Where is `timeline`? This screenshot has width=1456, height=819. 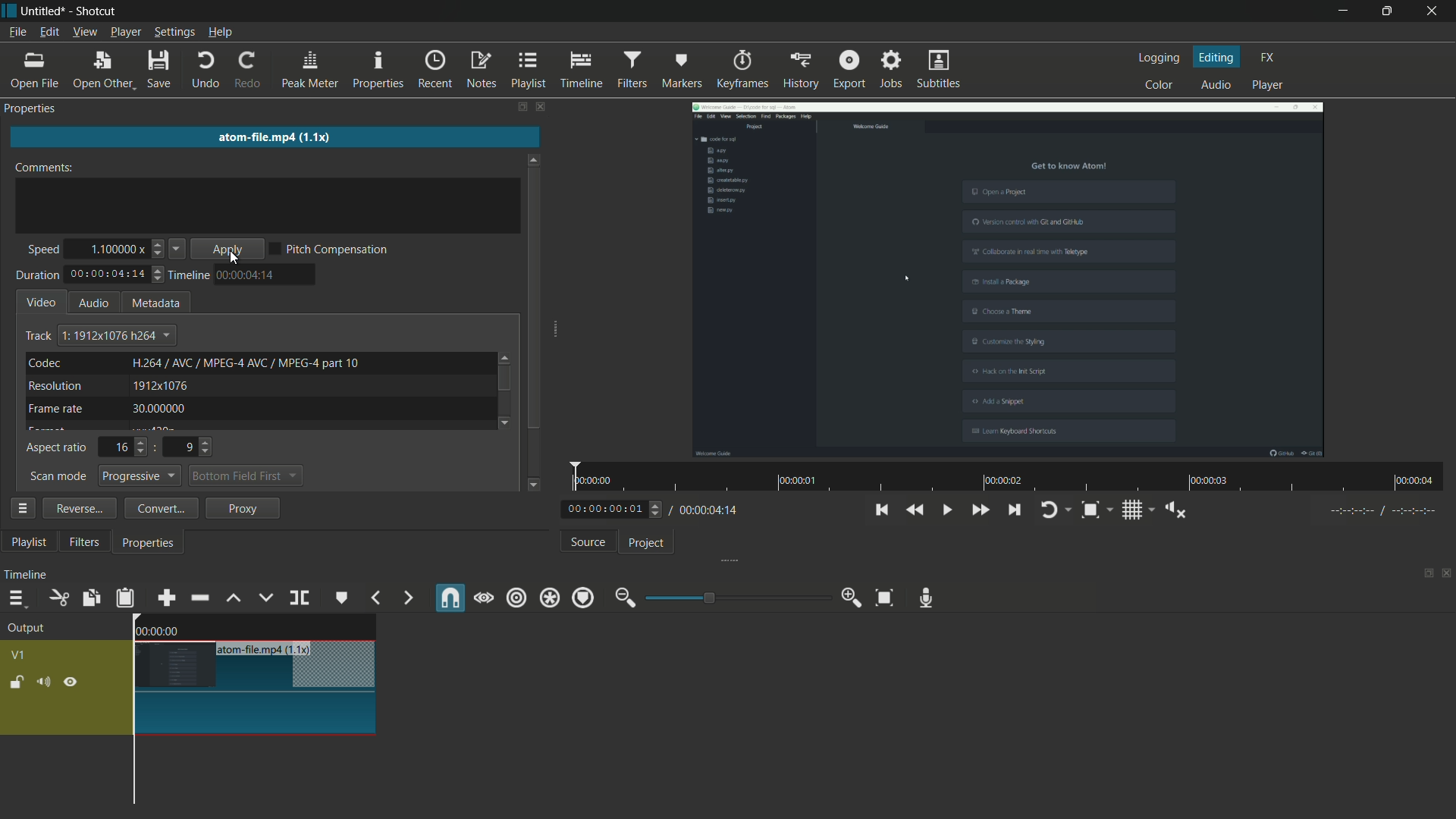
timeline is located at coordinates (25, 574).